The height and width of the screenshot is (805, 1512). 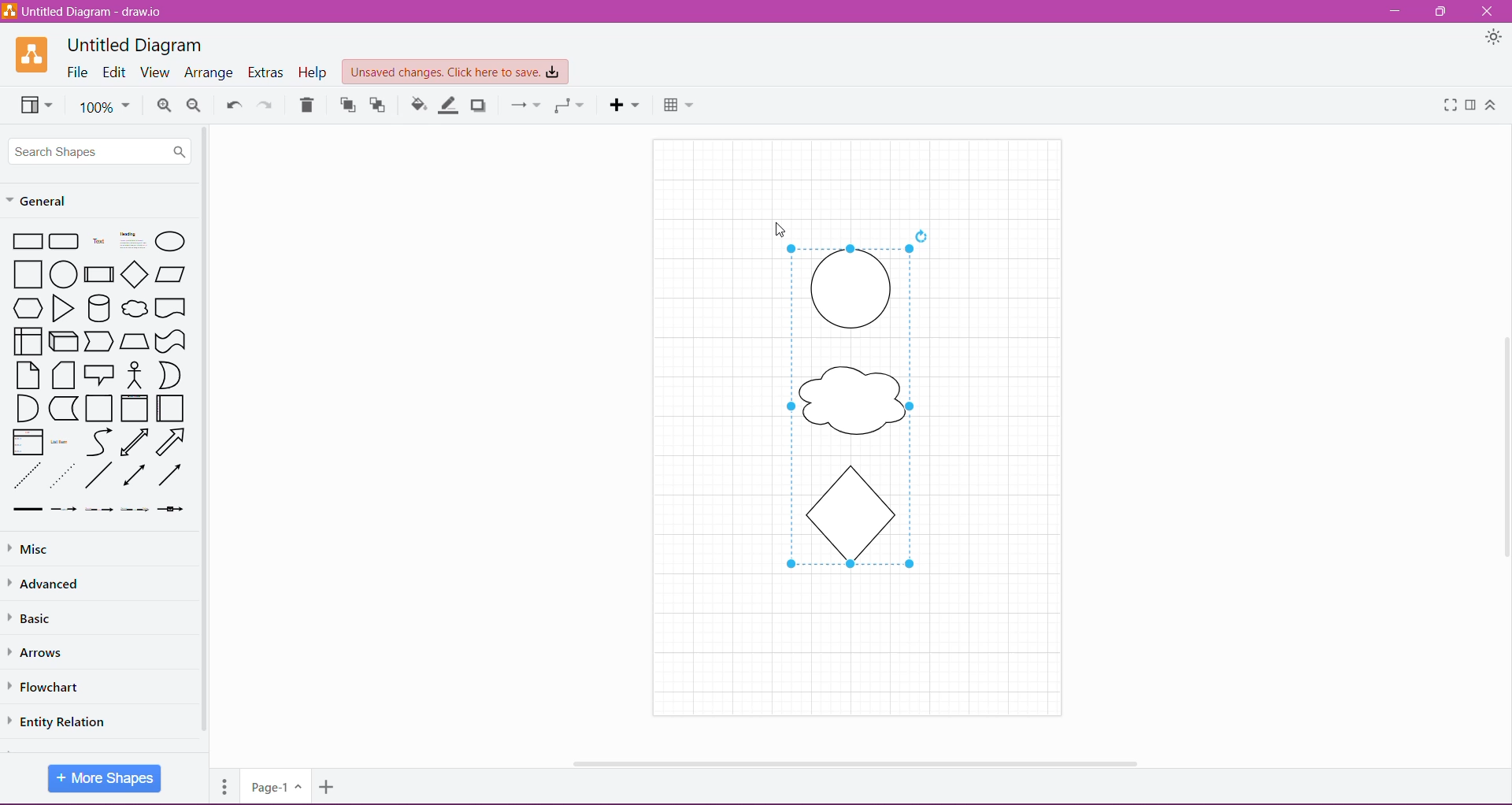 What do you see at coordinates (265, 104) in the screenshot?
I see `Redo` at bounding box center [265, 104].